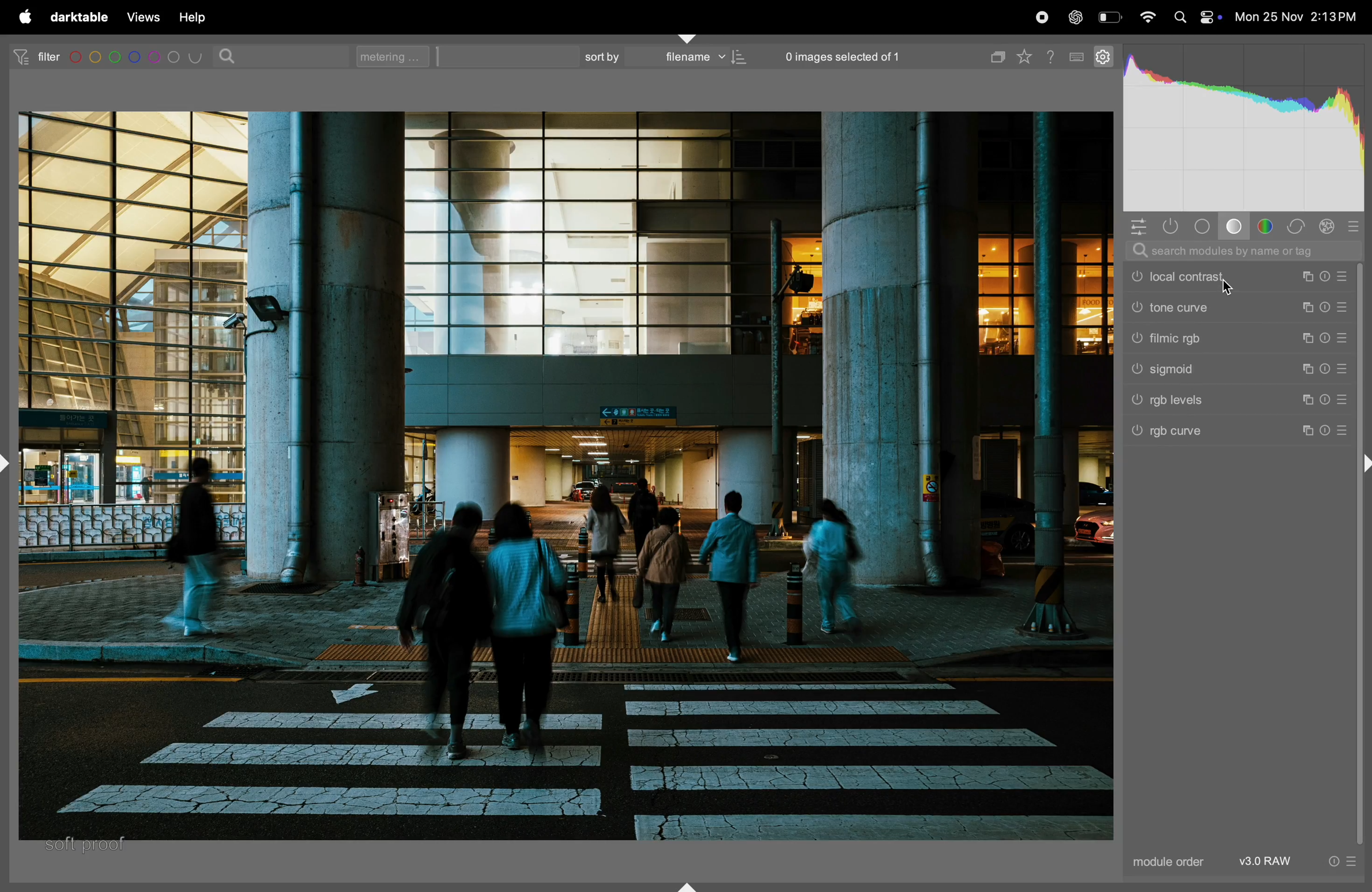 The width and height of the screenshot is (1372, 892). I want to click on record, so click(1043, 17).